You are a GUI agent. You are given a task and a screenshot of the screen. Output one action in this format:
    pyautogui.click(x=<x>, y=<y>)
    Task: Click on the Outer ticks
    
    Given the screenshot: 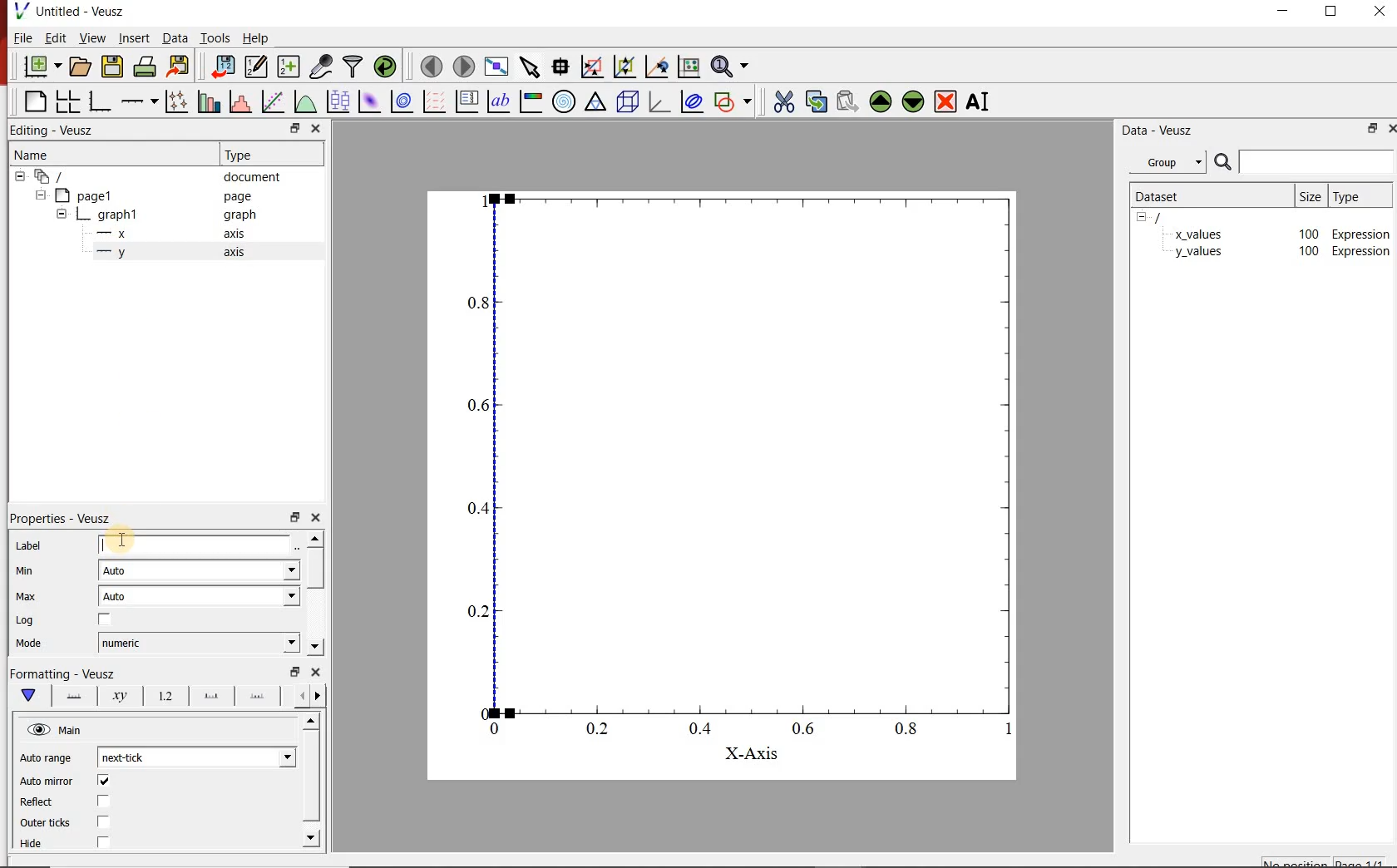 What is the action you would take?
    pyautogui.click(x=46, y=823)
    